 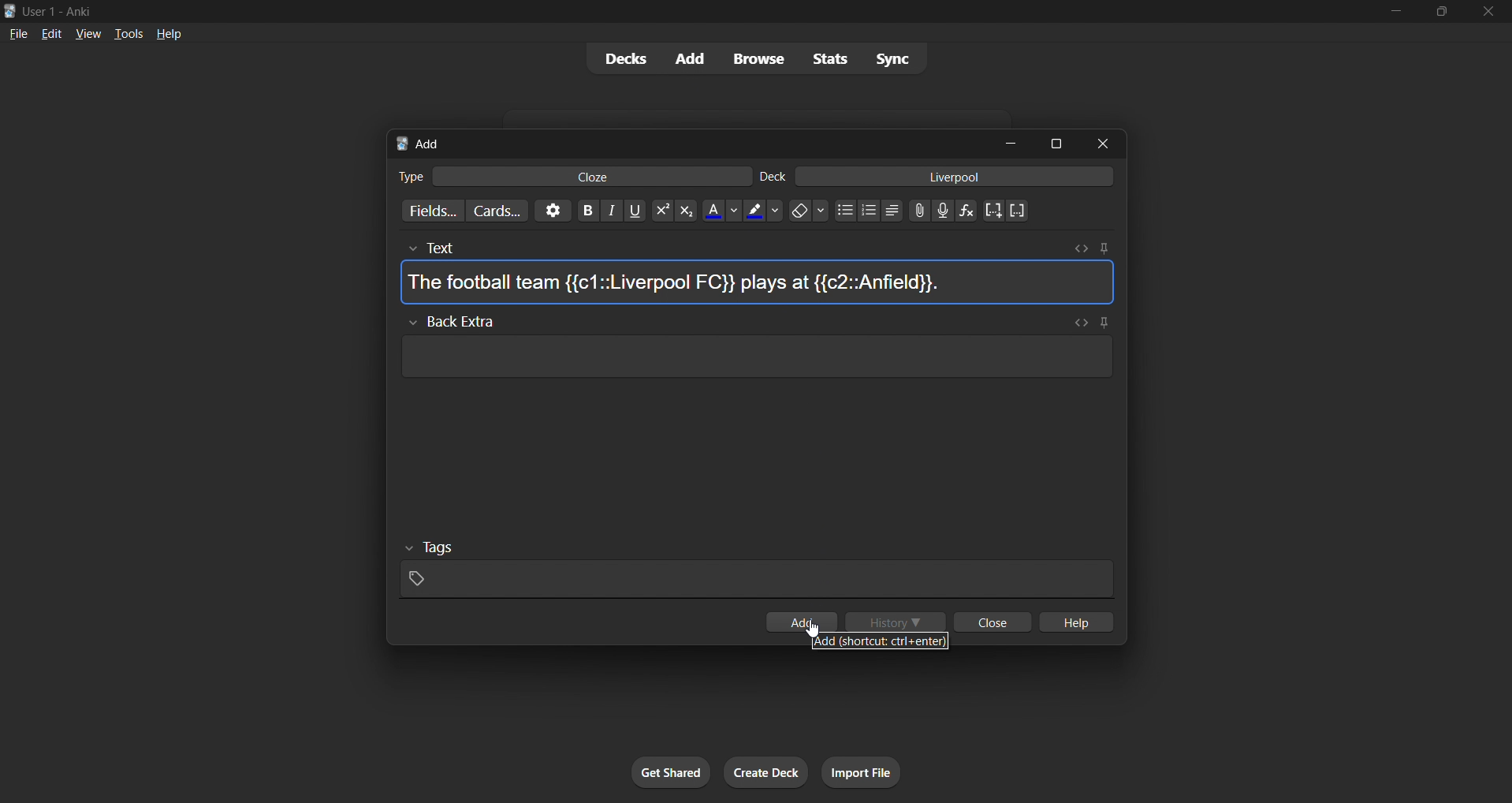 I want to click on Back Extra, so click(x=460, y=321).